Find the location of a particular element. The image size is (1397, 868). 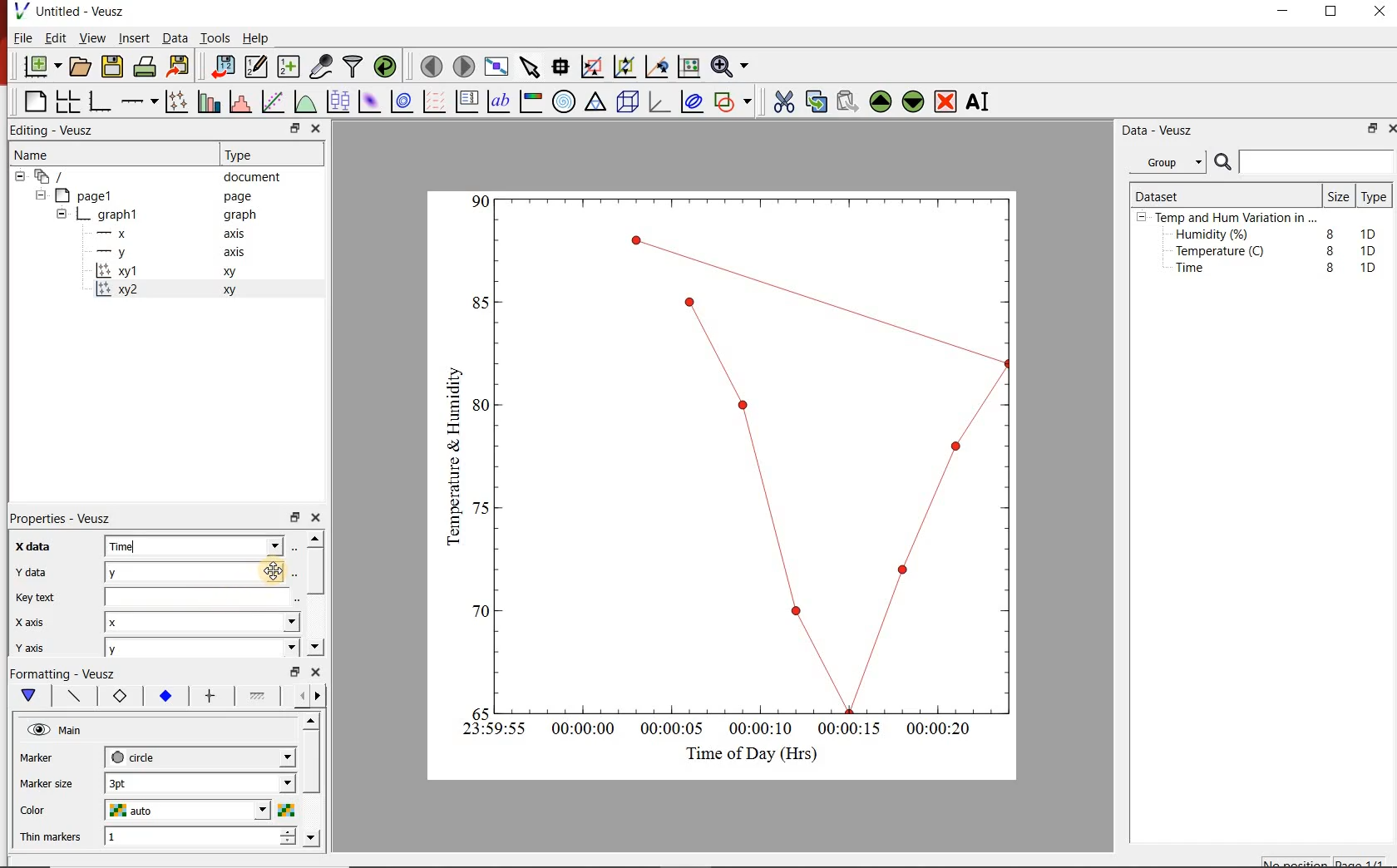

increase is located at coordinates (287, 833).